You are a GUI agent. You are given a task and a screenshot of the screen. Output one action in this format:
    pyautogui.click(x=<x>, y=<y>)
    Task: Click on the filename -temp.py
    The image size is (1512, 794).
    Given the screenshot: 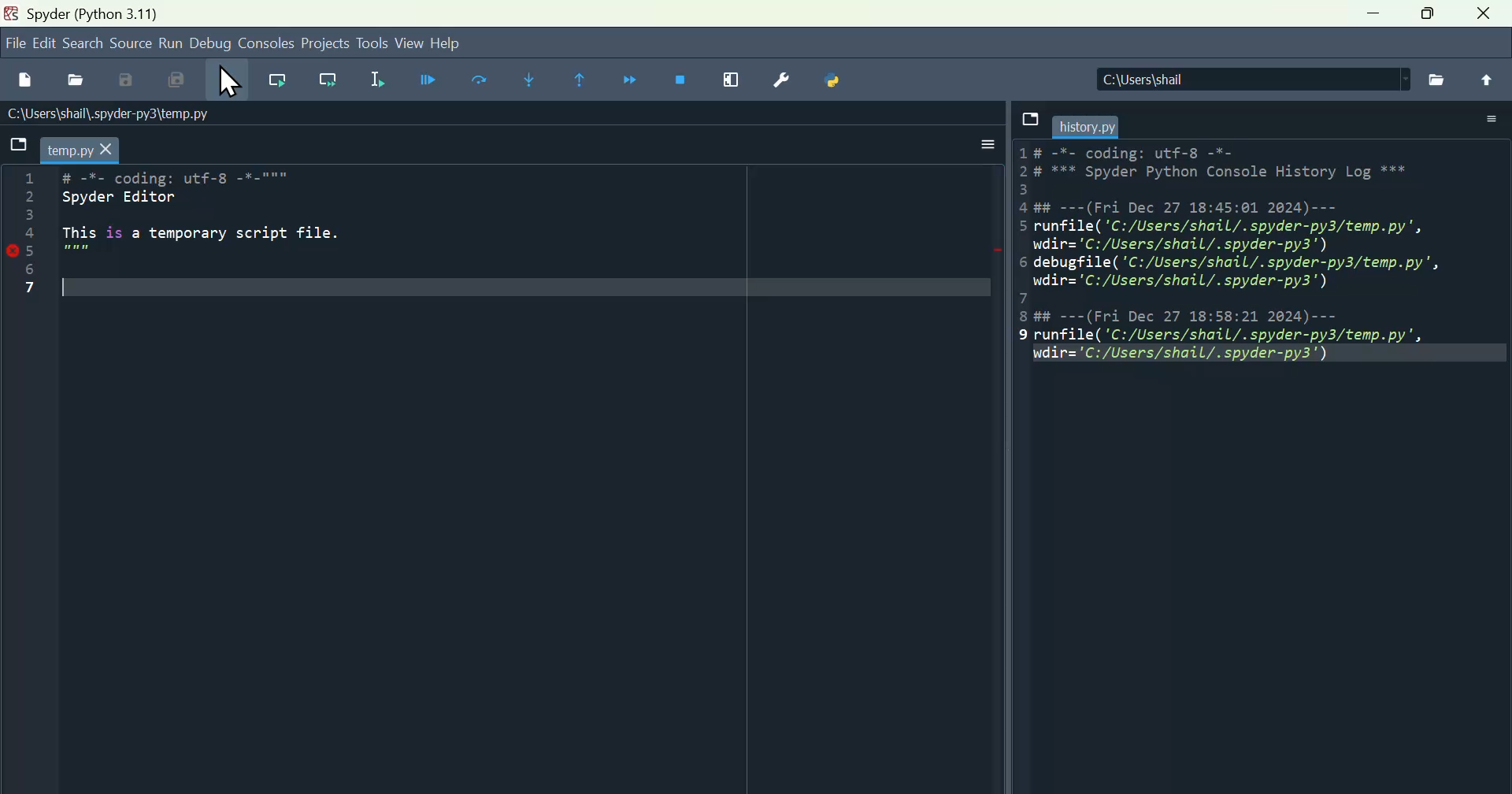 What is the action you would take?
    pyautogui.click(x=84, y=149)
    